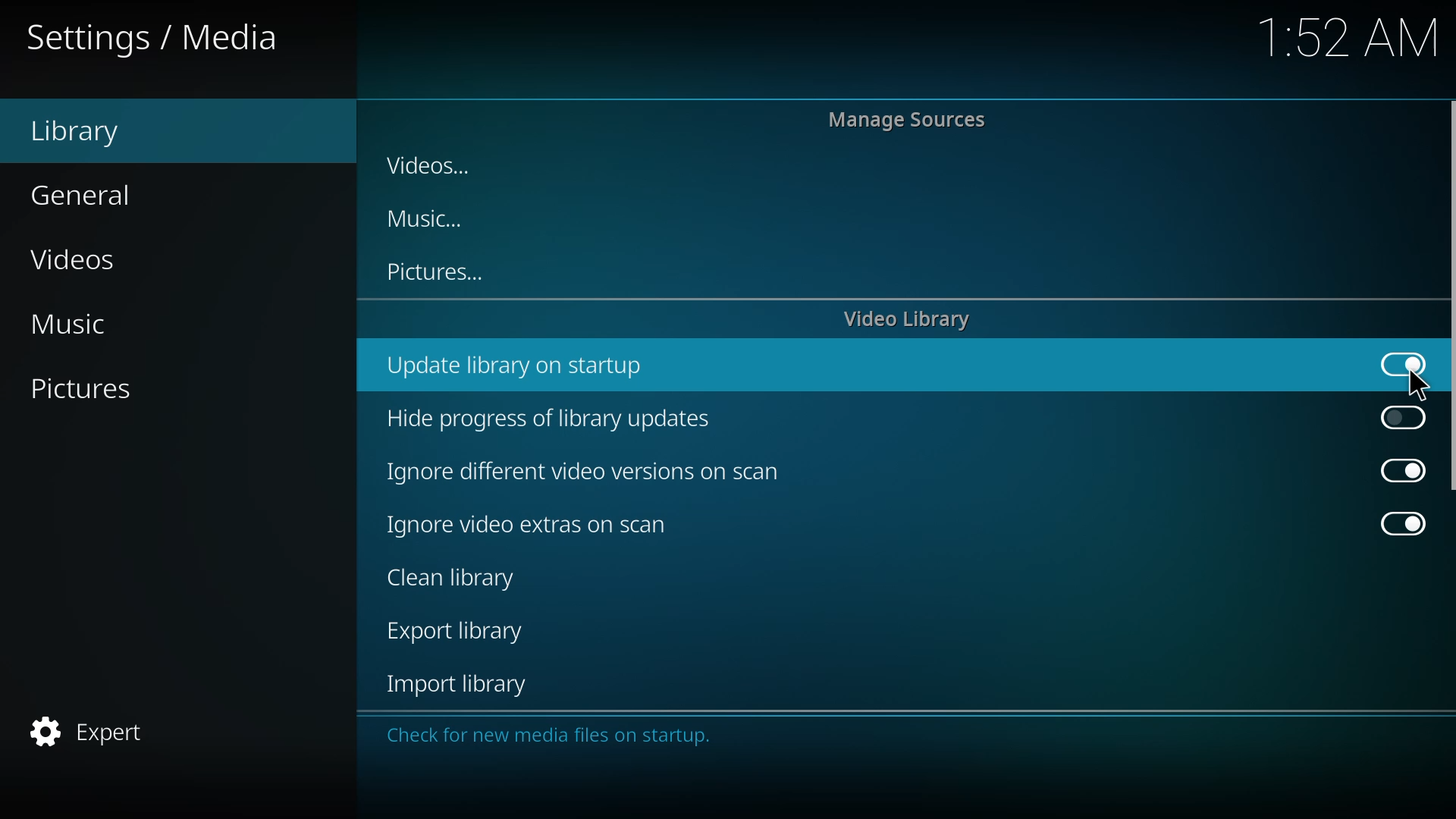  What do you see at coordinates (80, 257) in the screenshot?
I see `videos` at bounding box center [80, 257].